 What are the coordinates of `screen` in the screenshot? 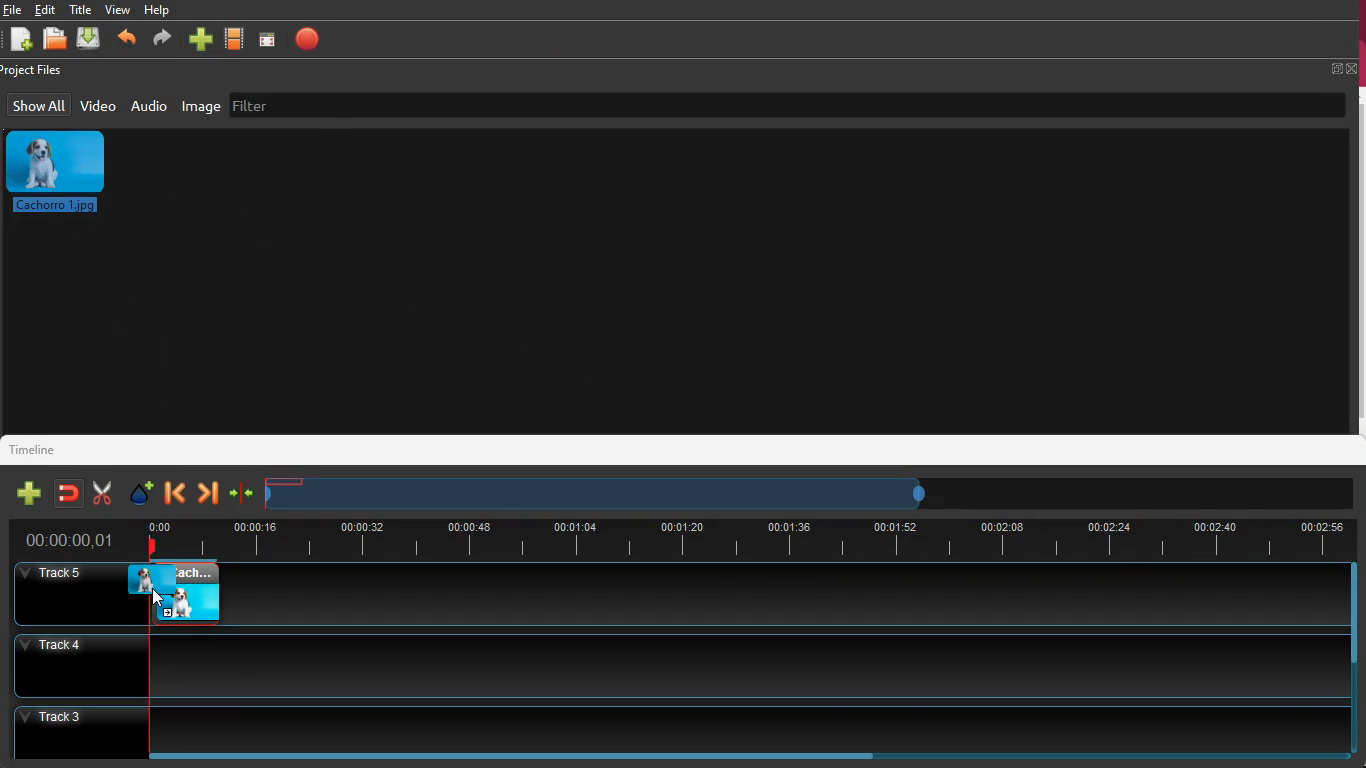 It's located at (271, 39).